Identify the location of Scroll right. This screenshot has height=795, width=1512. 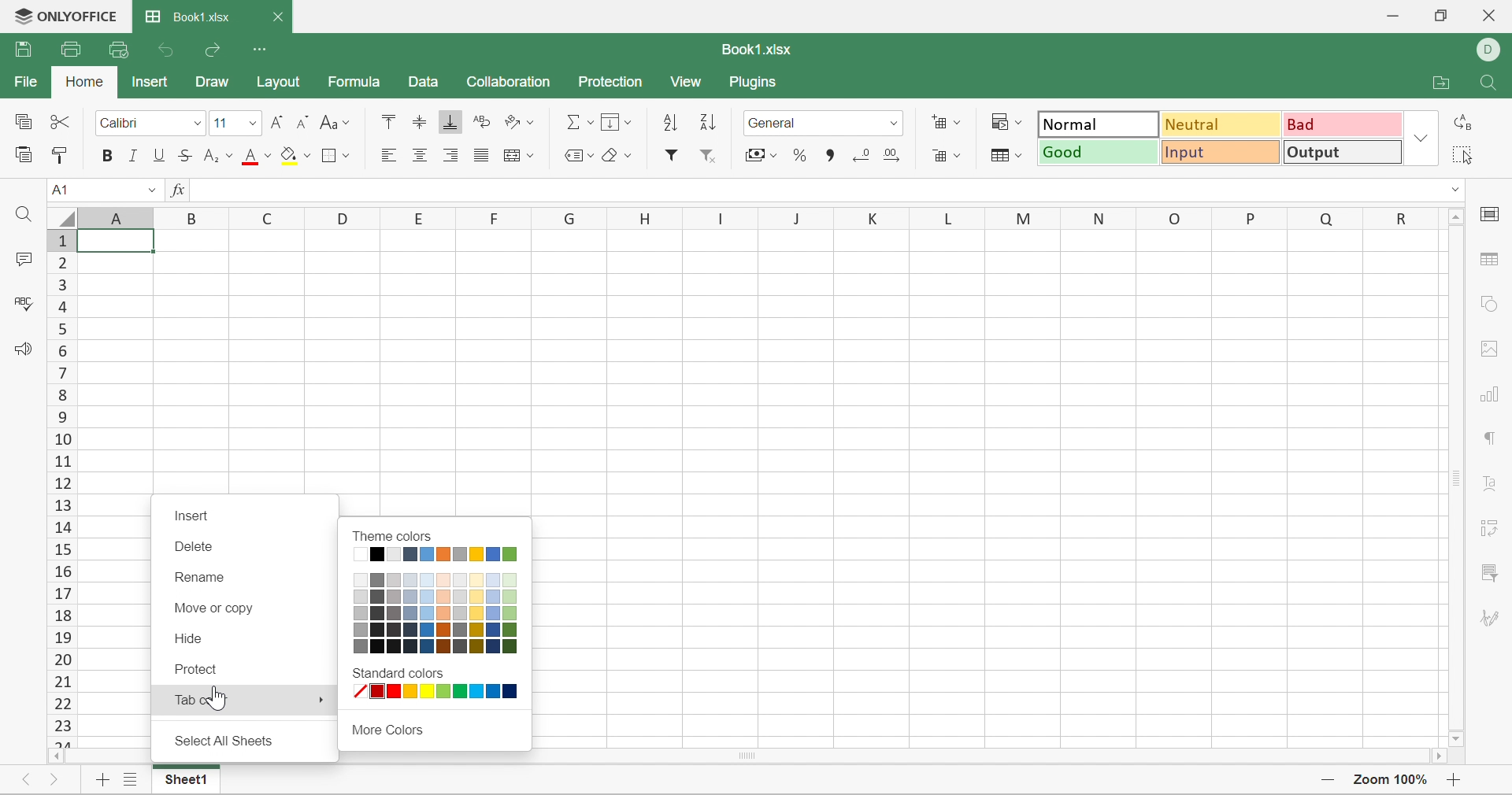
(1435, 755).